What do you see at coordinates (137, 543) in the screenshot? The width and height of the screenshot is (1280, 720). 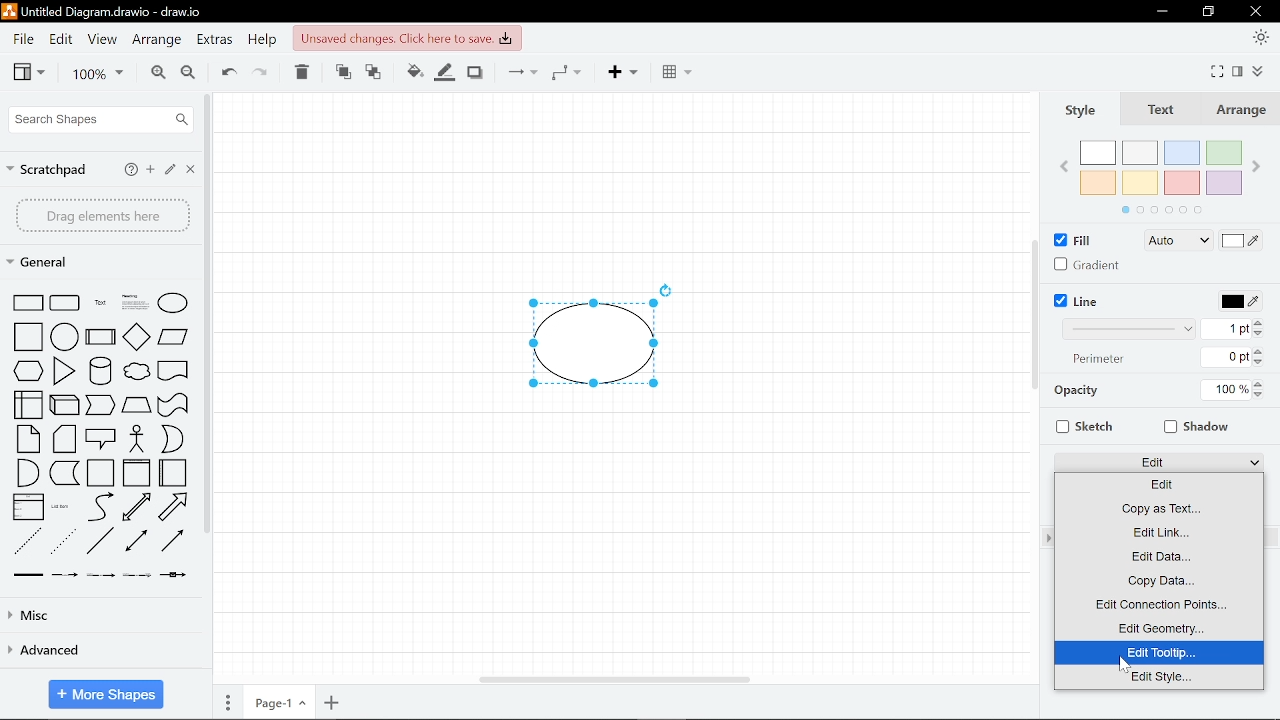 I see `bidirectional connector` at bounding box center [137, 543].